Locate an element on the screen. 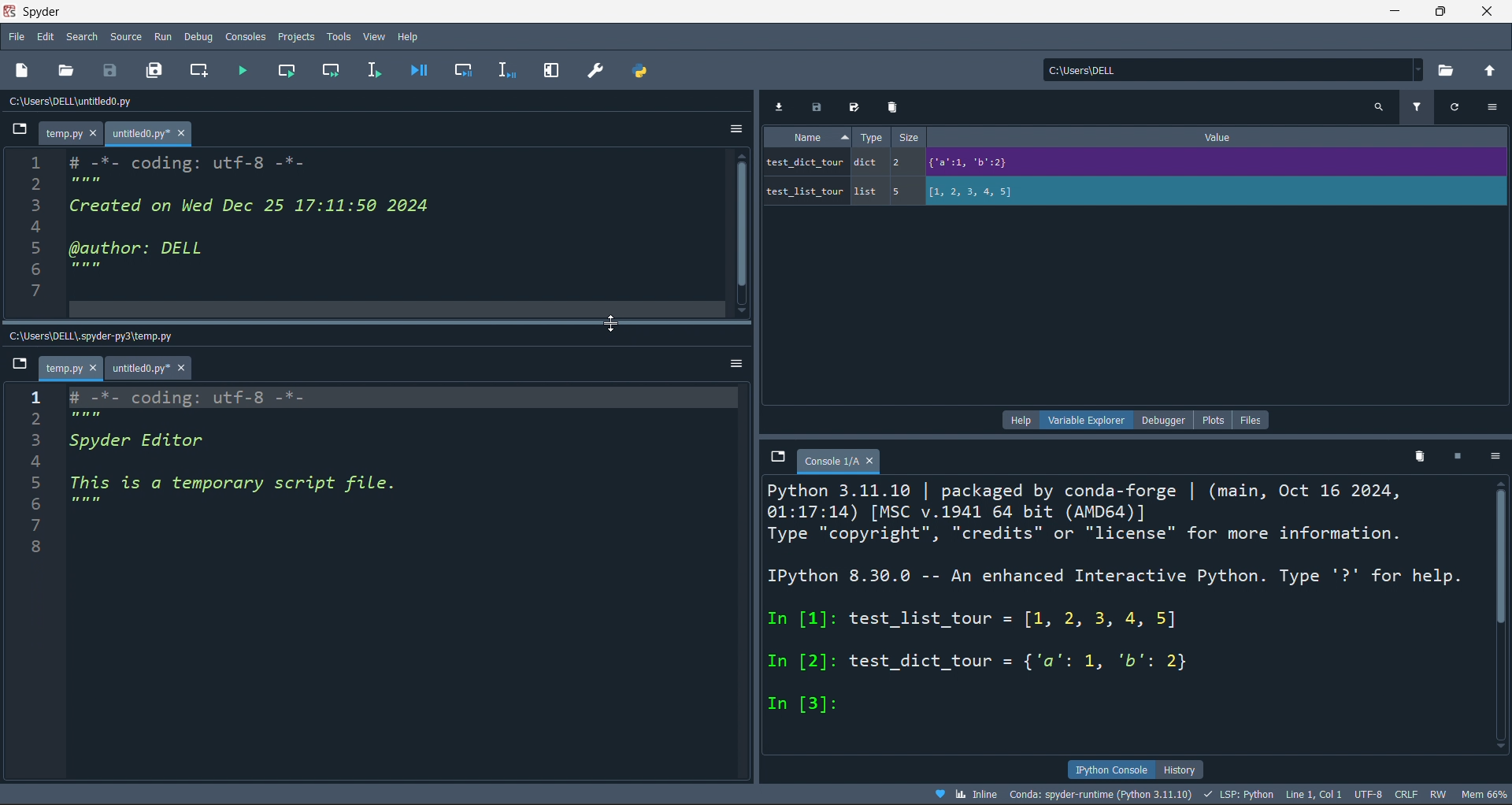 The width and height of the screenshot is (1512, 805). preference is located at coordinates (592, 70).